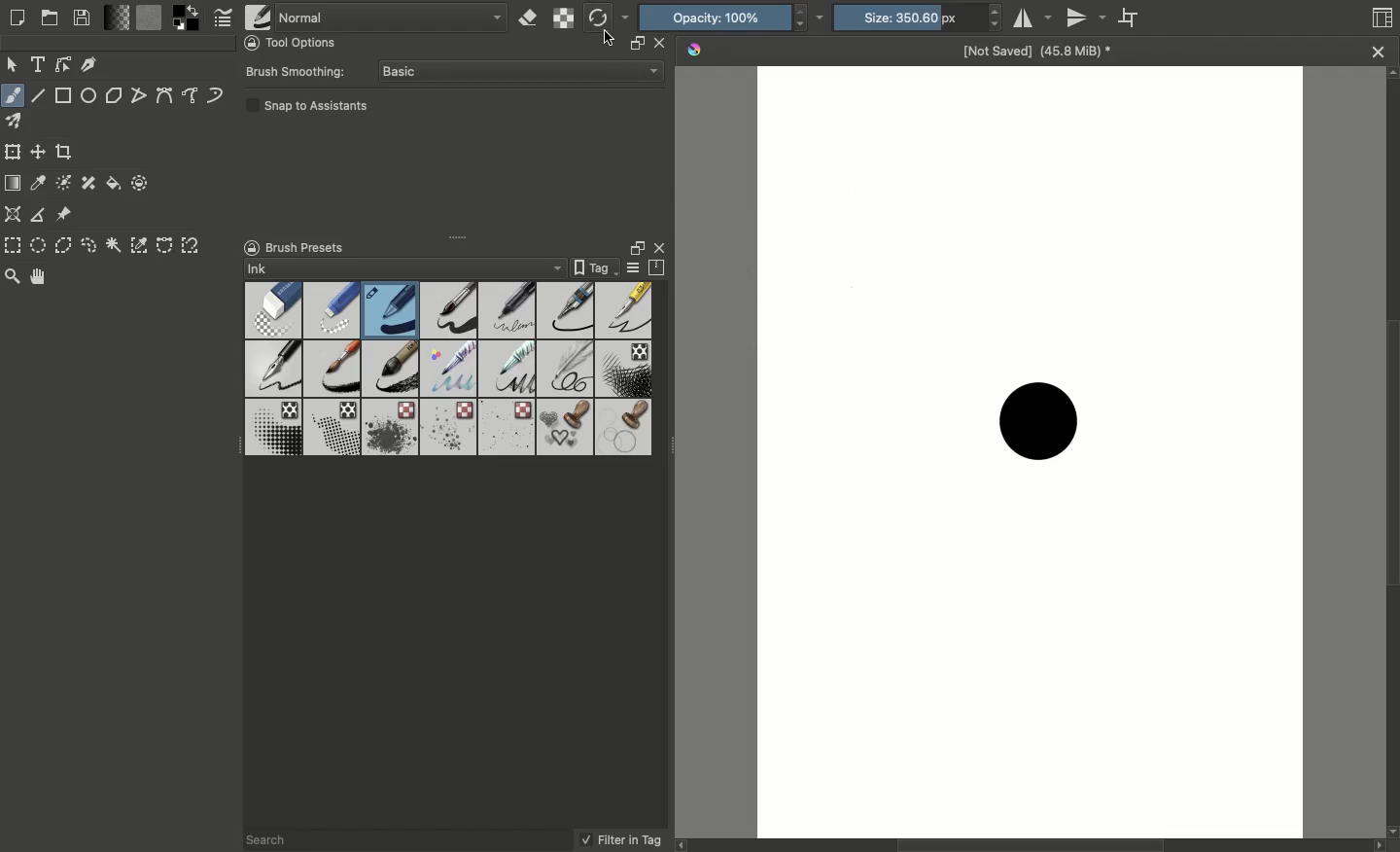 The height and width of the screenshot is (852, 1400). What do you see at coordinates (13, 152) in the screenshot?
I see `Transform` at bounding box center [13, 152].